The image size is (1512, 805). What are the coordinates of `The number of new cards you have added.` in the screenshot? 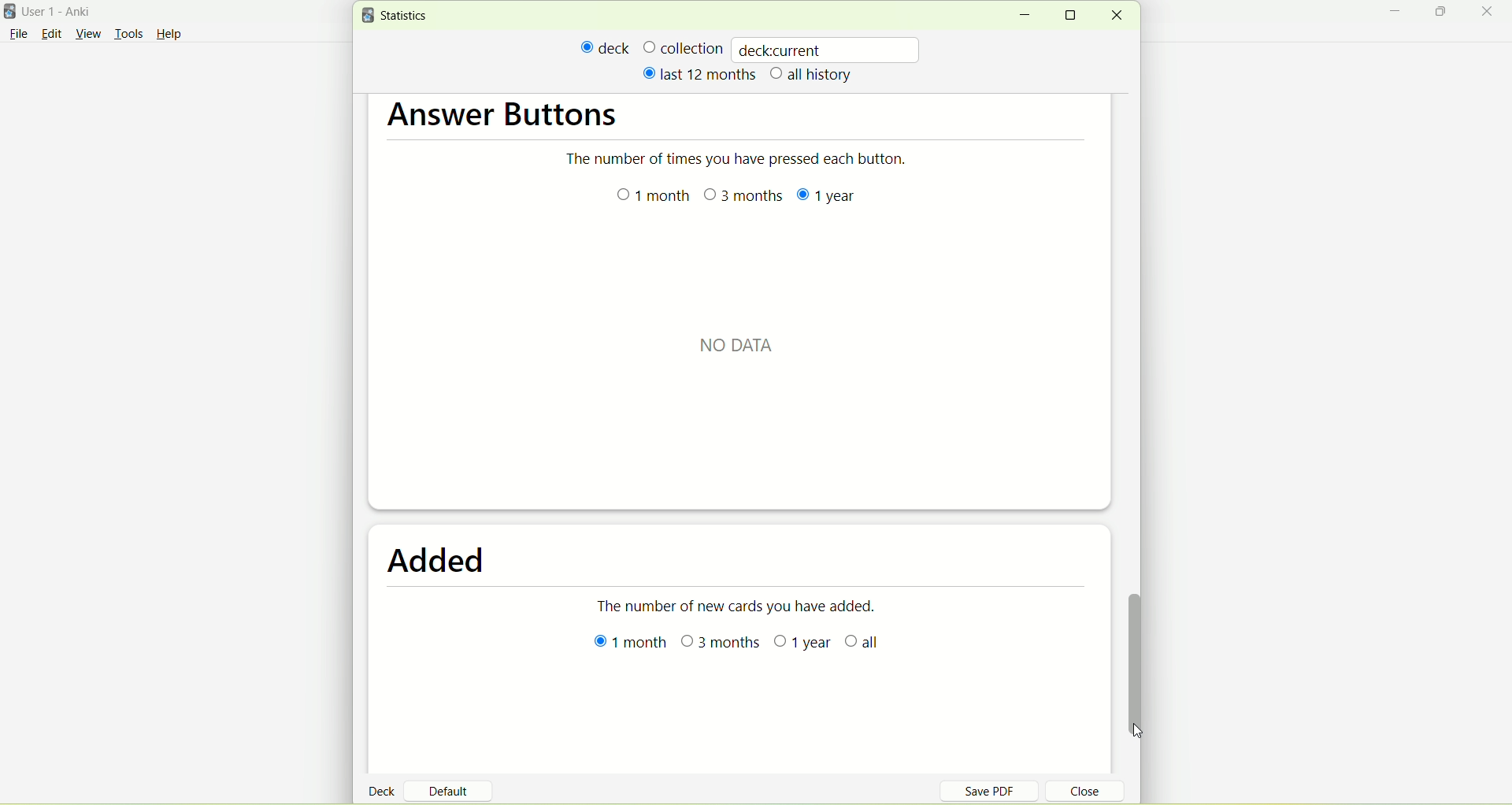 It's located at (743, 604).